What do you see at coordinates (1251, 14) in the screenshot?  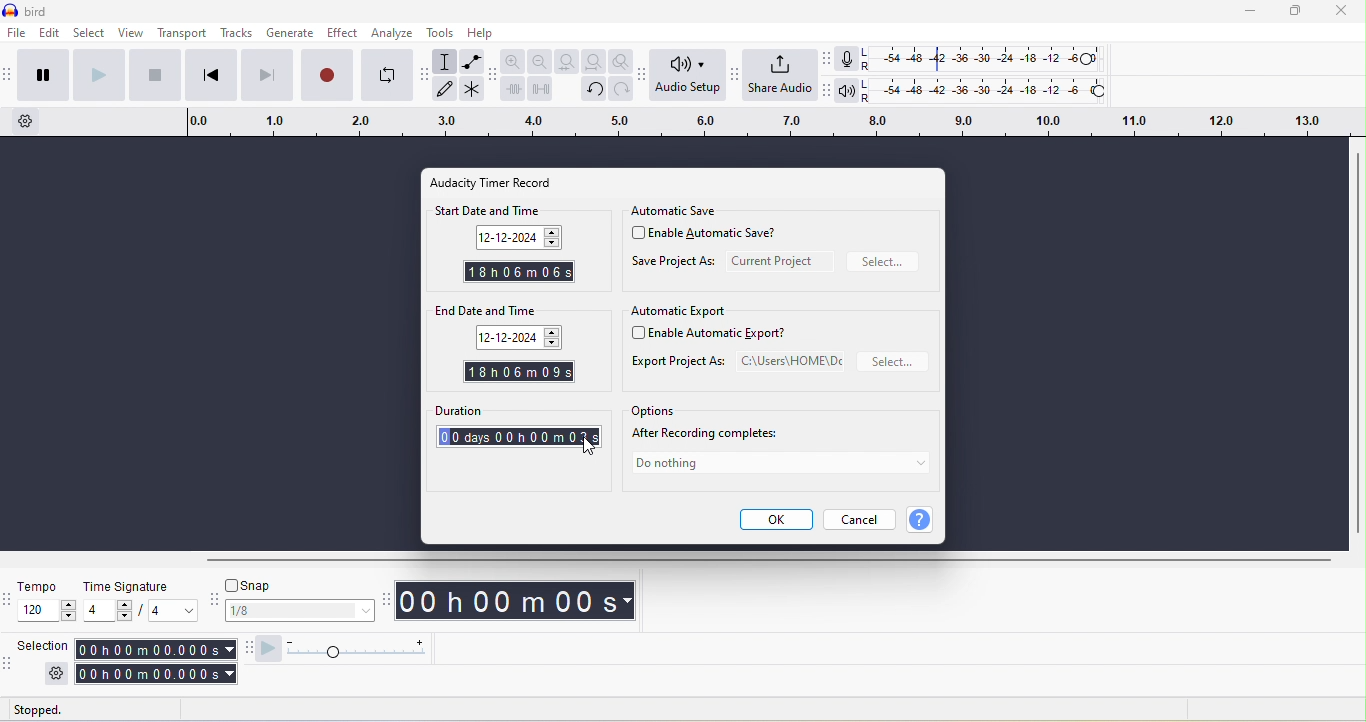 I see `minimize` at bounding box center [1251, 14].